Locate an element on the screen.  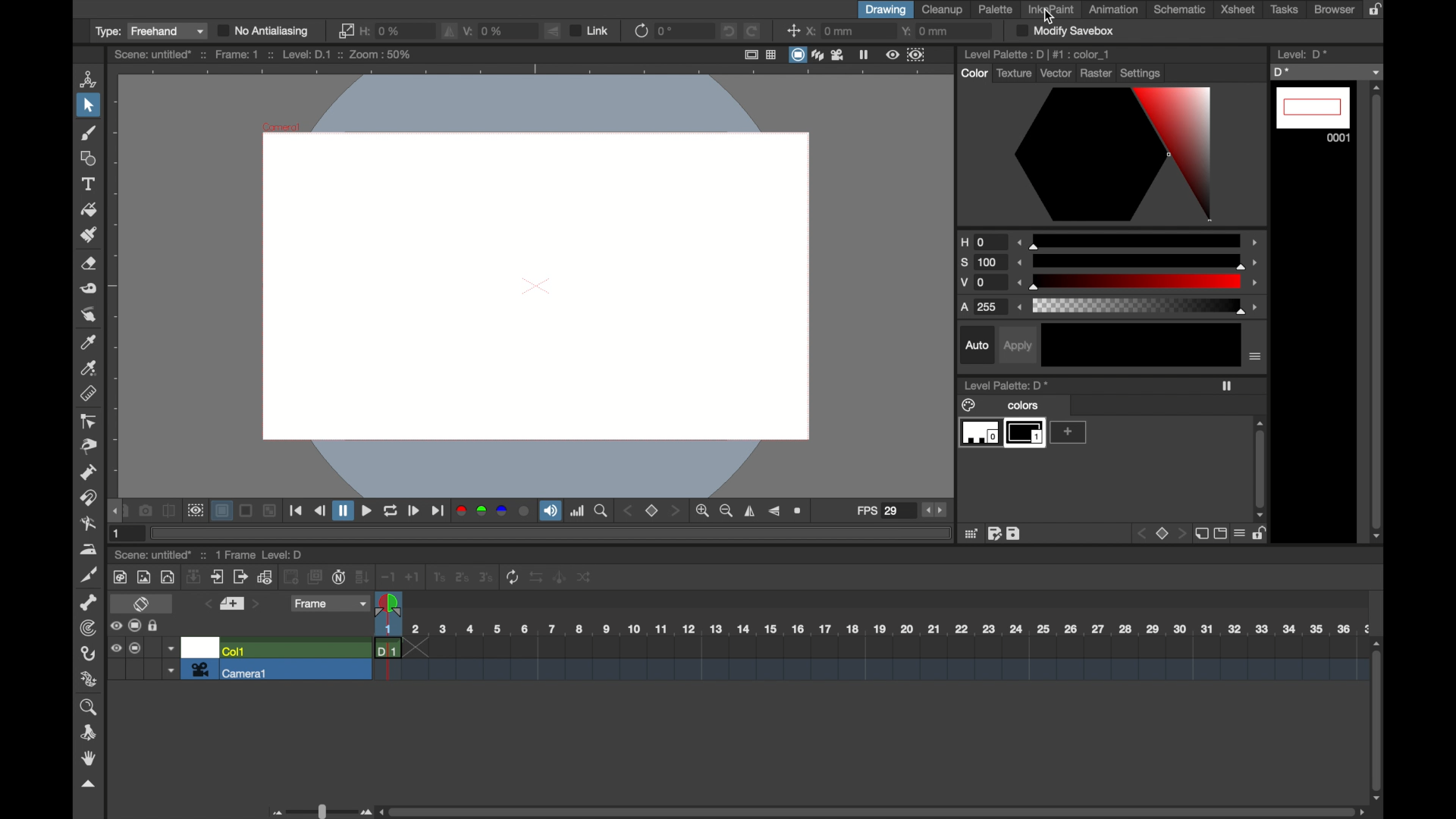
black is located at coordinates (1141, 344).